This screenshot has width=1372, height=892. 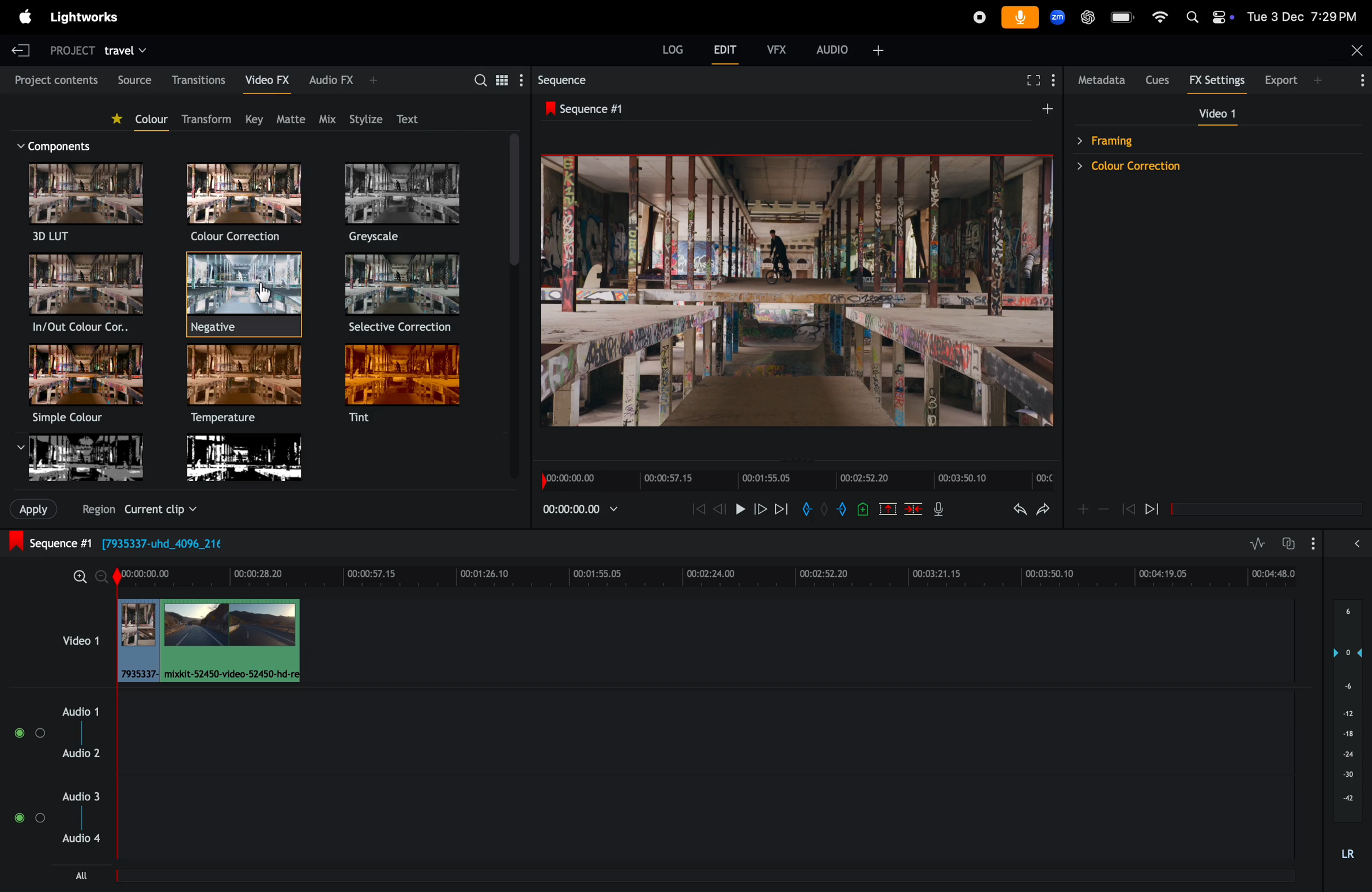 What do you see at coordinates (133, 49) in the screenshot?
I see `travel` at bounding box center [133, 49].